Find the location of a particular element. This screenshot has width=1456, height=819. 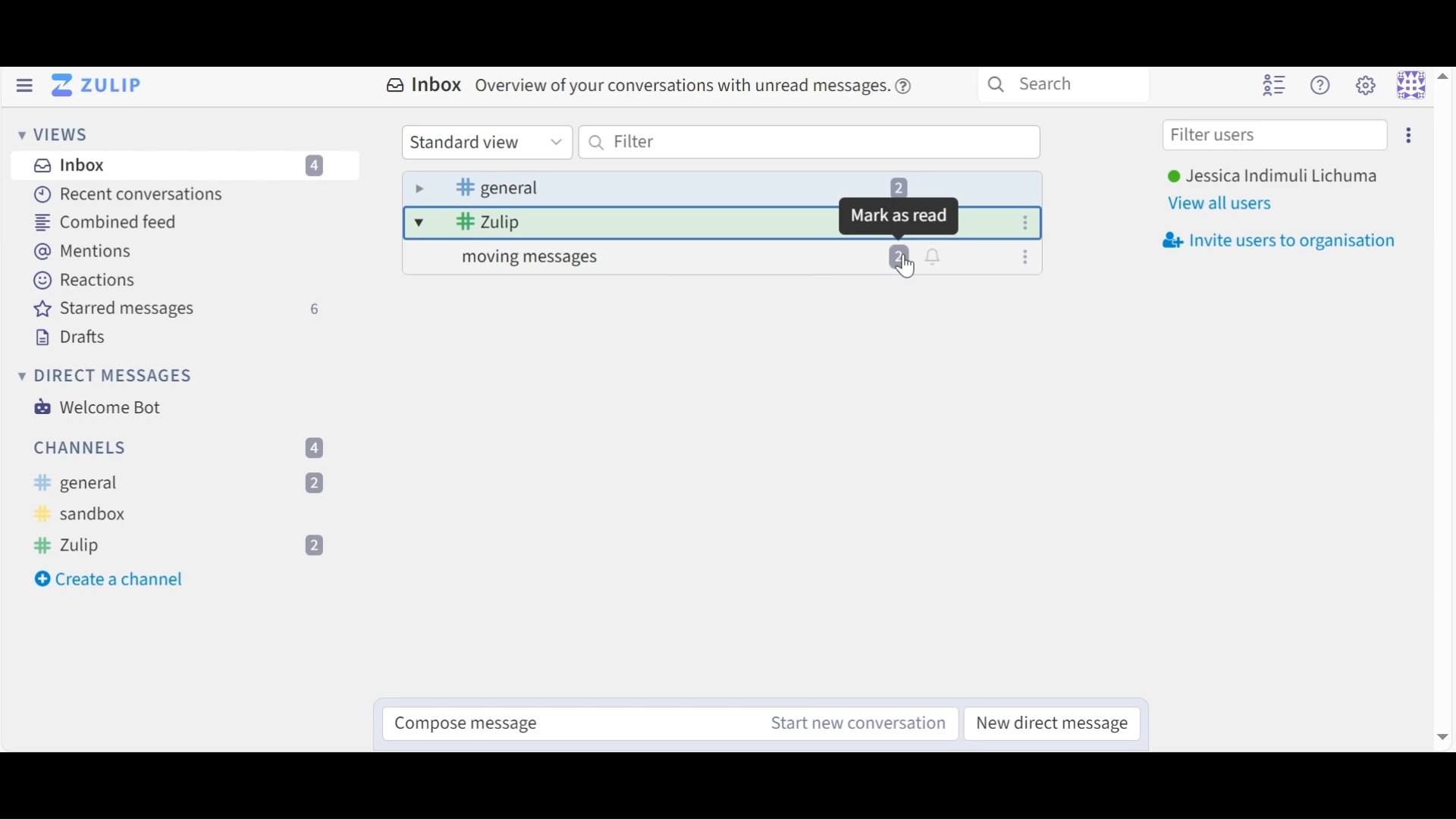

Drafts is located at coordinates (81, 339).